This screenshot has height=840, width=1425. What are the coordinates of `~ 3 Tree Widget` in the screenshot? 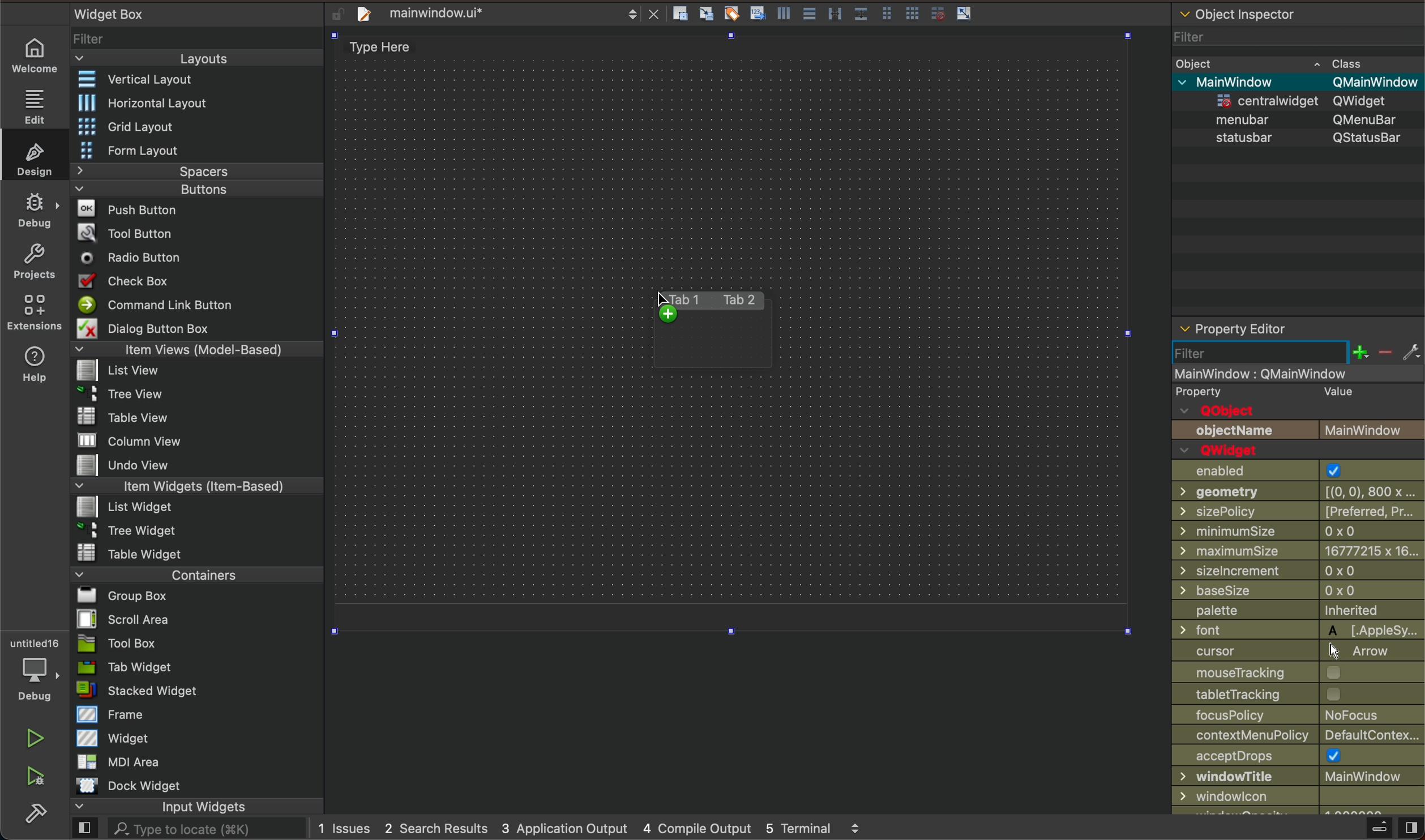 It's located at (119, 530).